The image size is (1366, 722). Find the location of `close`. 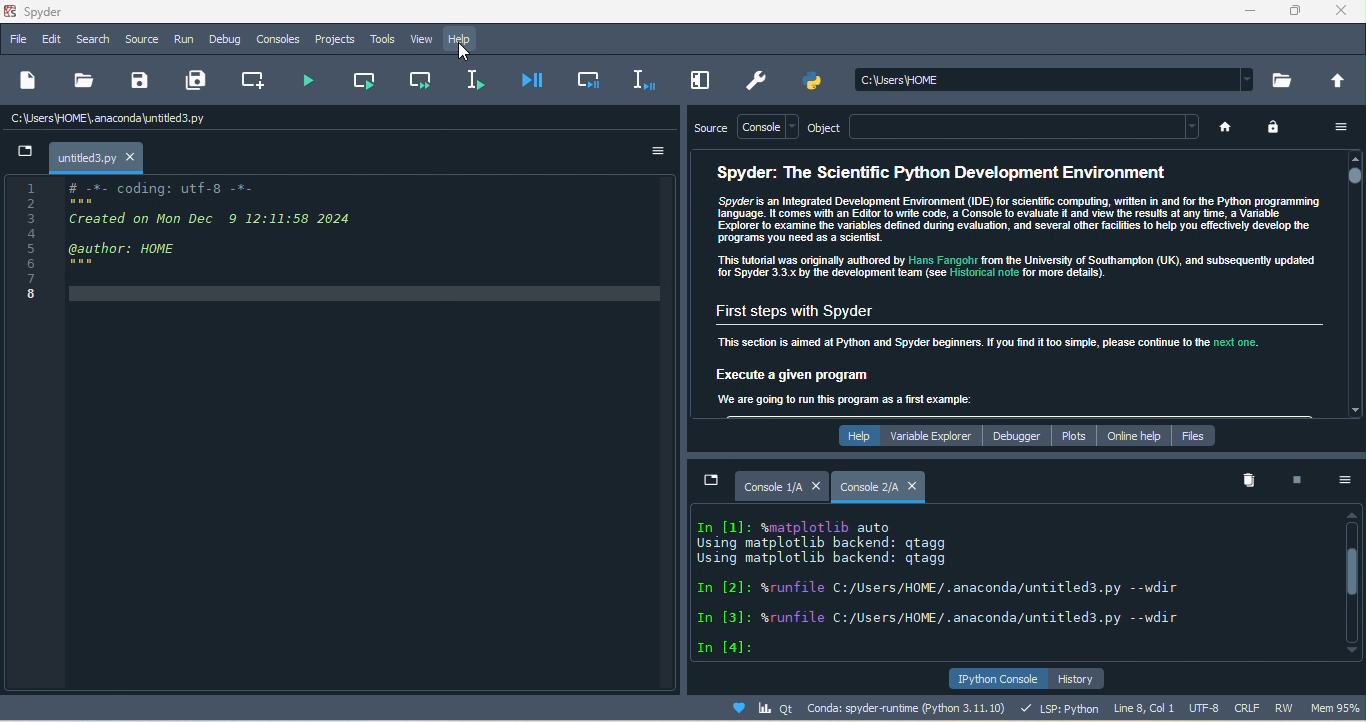

close is located at coordinates (132, 157).